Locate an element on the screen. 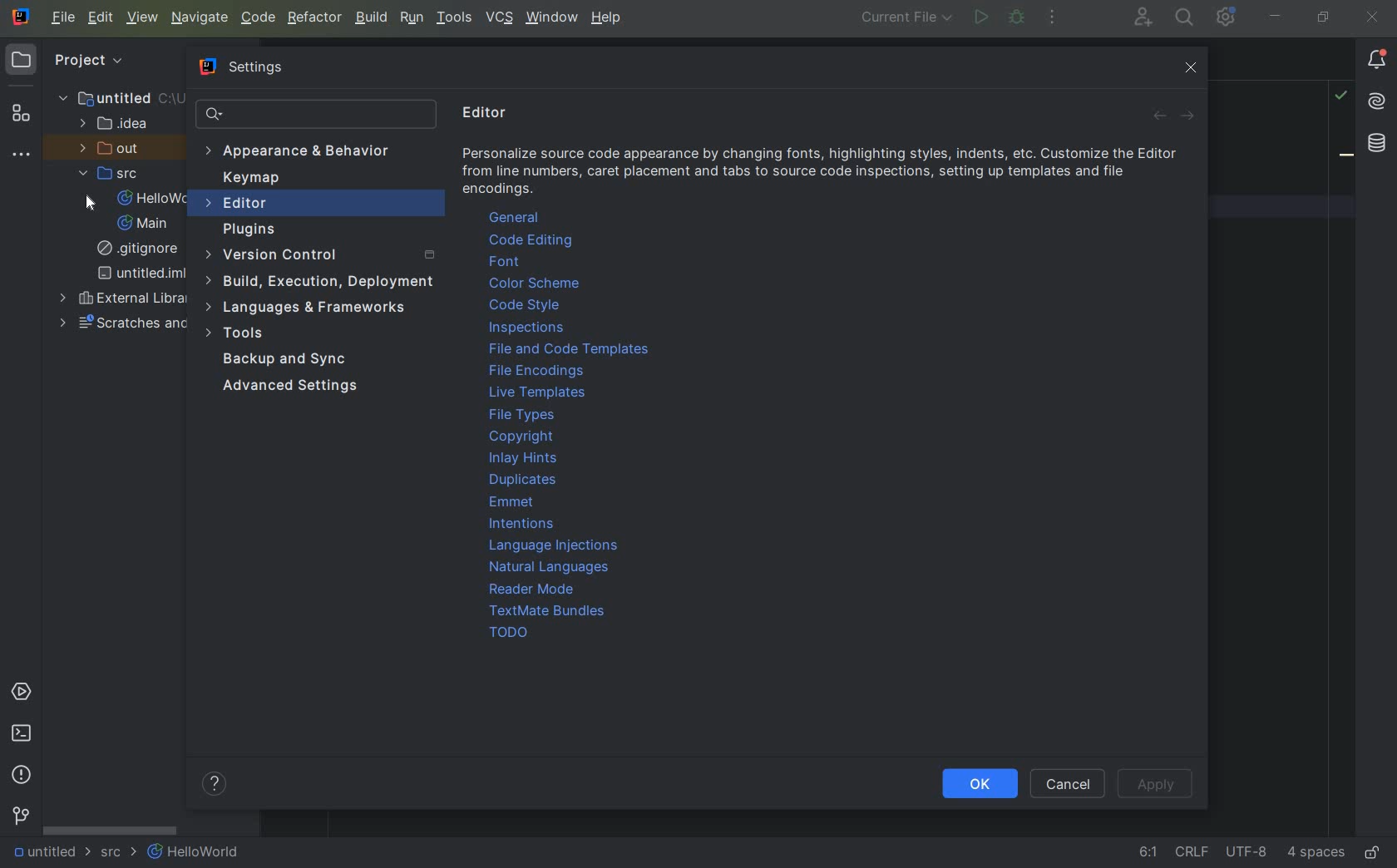  SEARCH SETTINGS is located at coordinates (320, 116).